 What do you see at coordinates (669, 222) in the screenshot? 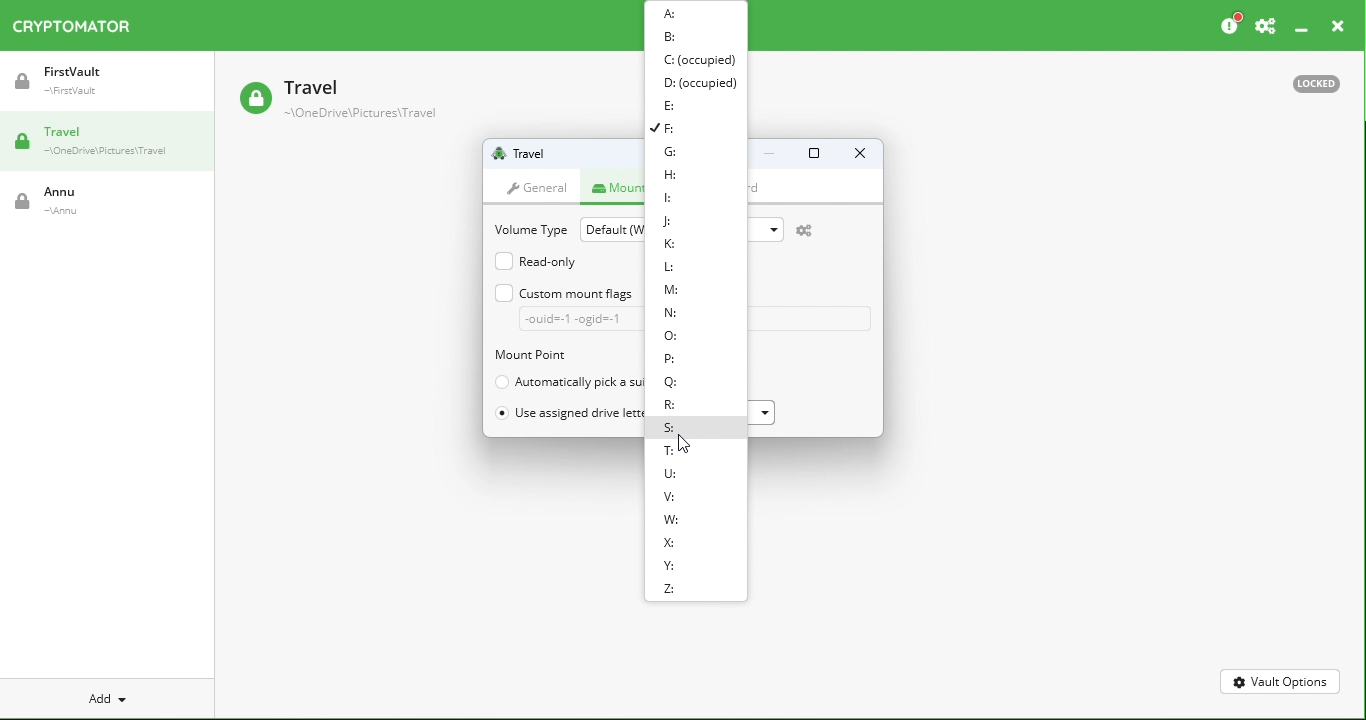
I see `J:` at bounding box center [669, 222].